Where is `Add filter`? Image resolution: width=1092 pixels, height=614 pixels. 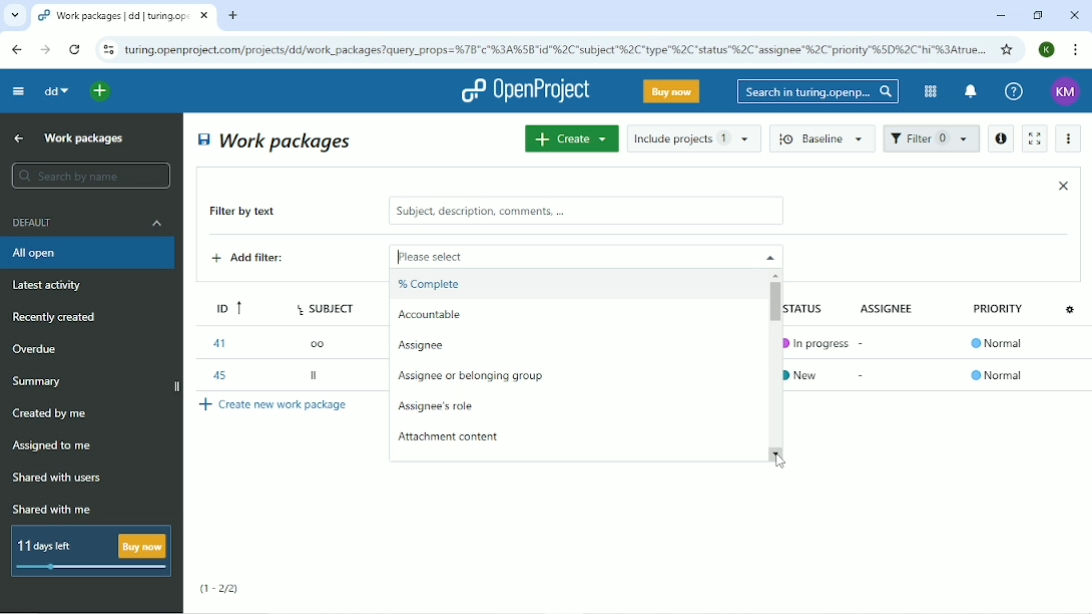 Add filter is located at coordinates (263, 260).